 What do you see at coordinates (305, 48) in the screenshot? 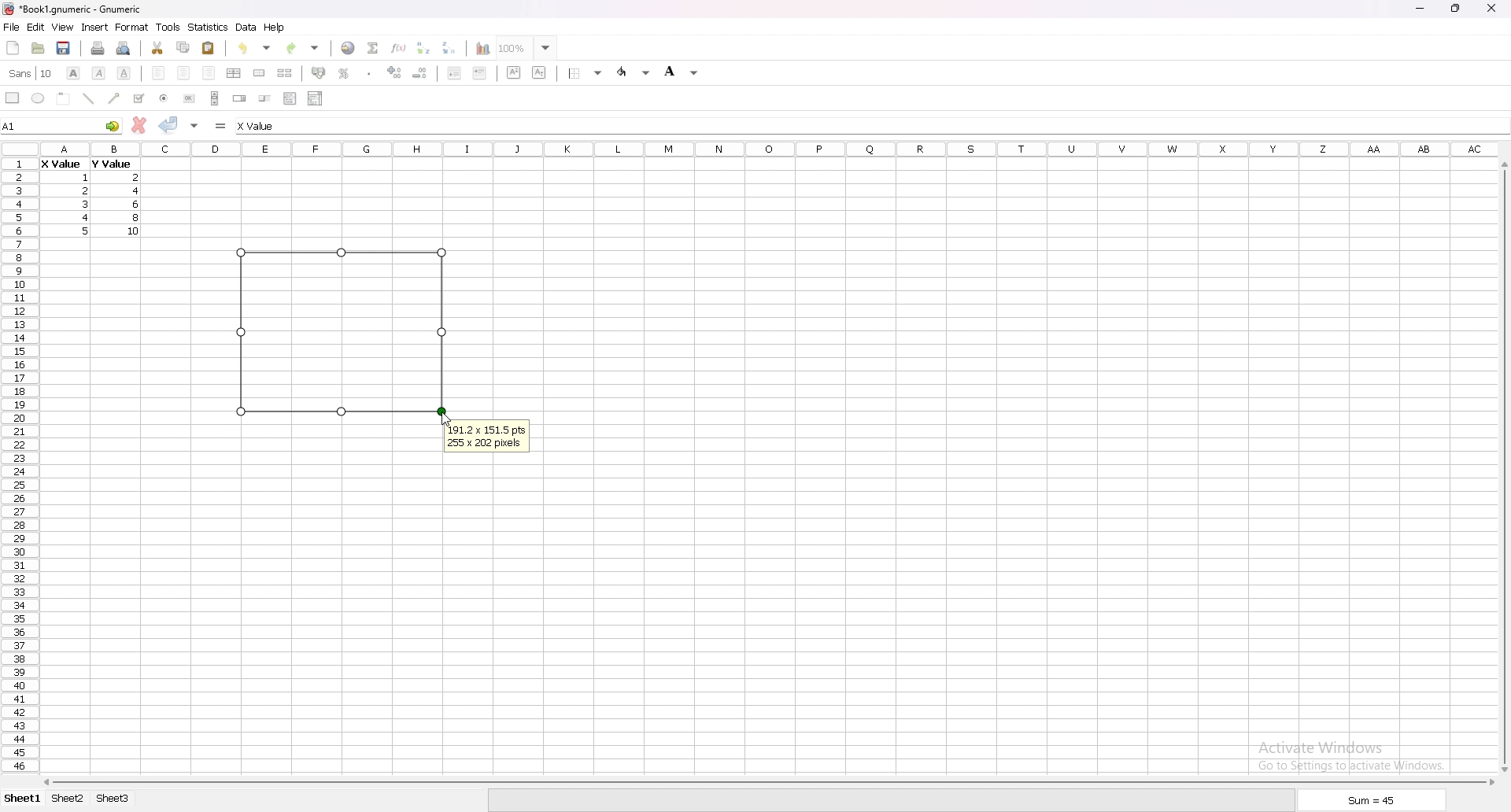
I see `redo` at bounding box center [305, 48].